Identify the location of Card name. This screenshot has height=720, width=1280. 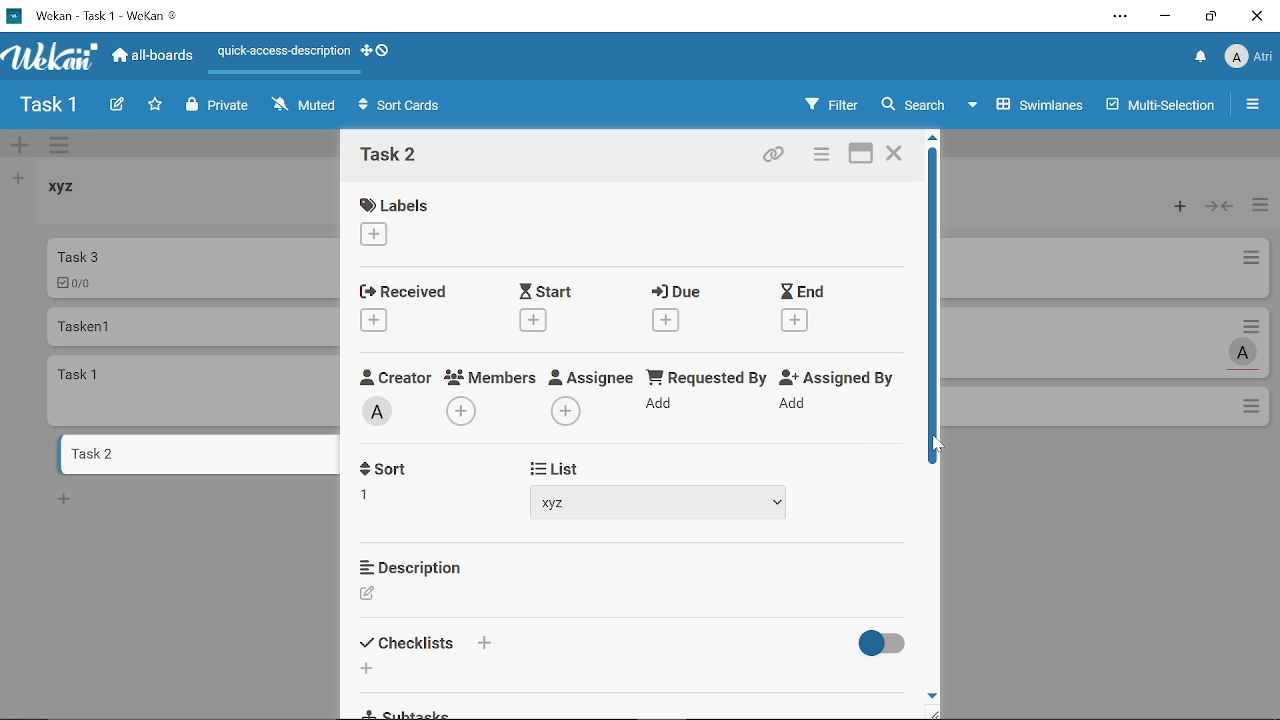
(389, 154).